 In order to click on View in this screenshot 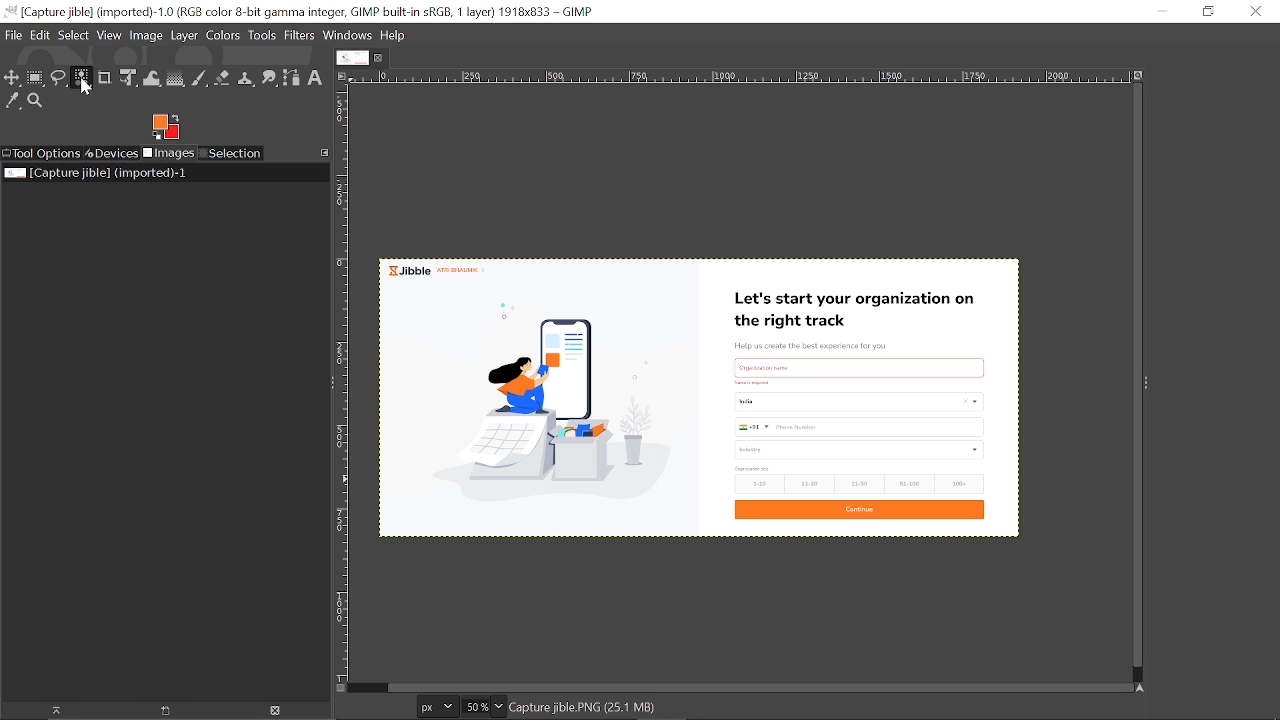, I will do `click(110, 35)`.